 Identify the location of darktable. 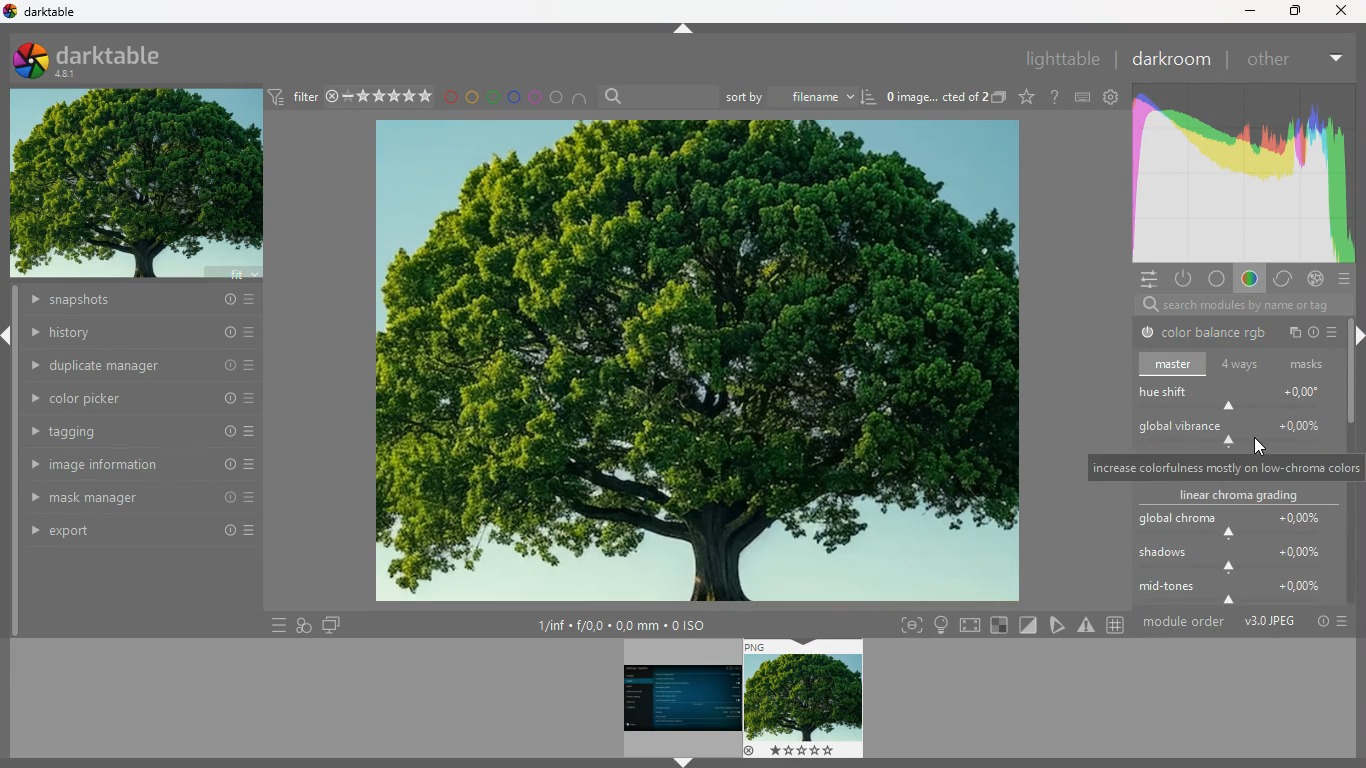
(104, 59).